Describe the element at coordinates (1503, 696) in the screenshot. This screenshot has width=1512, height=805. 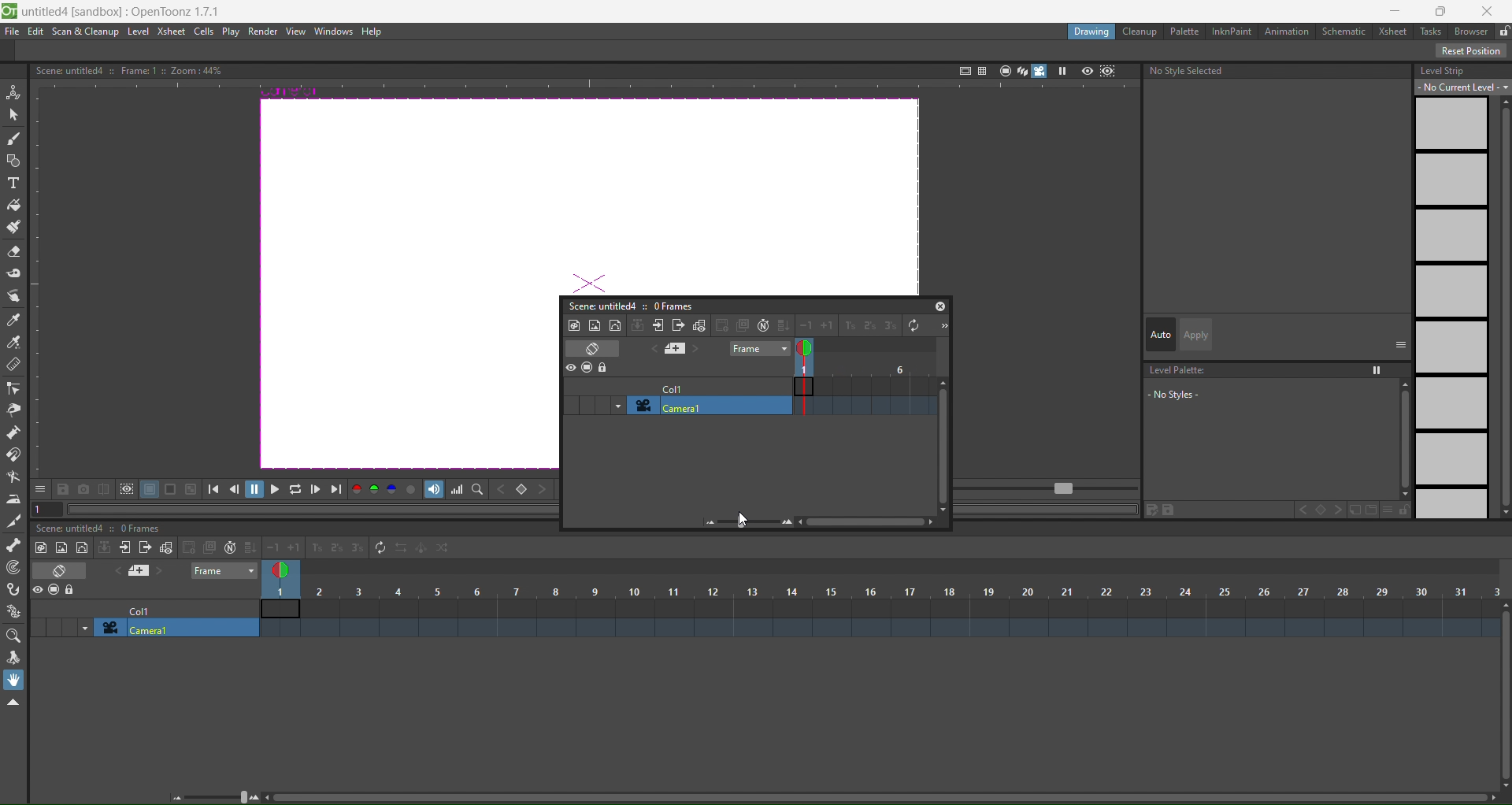
I see `scroll bar` at that location.